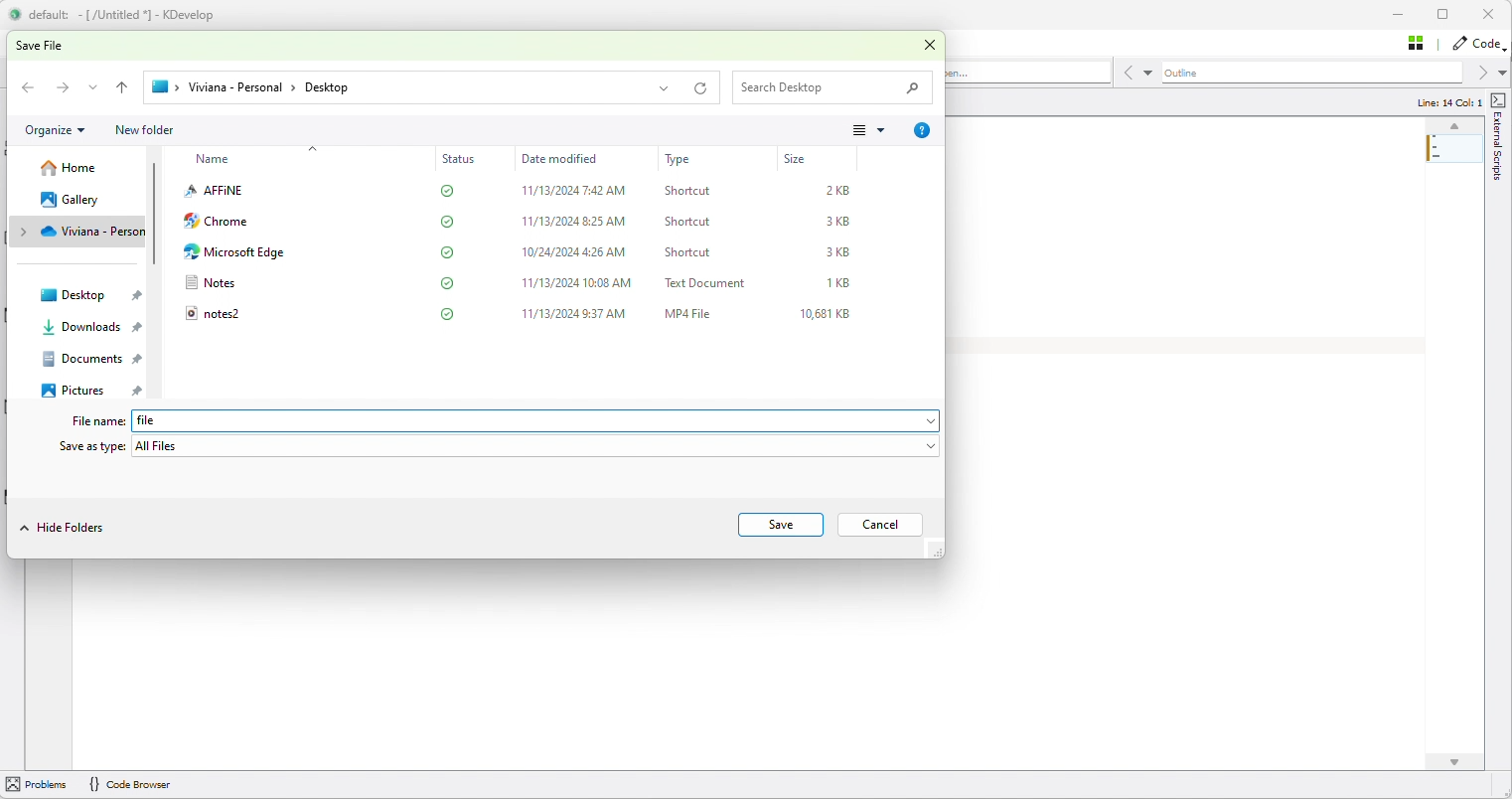 Image resolution: width=1512 pixels, height=799 pixels. Describe the element at coordinates (701, 90) in the screenshot. I see `reload` at that location.